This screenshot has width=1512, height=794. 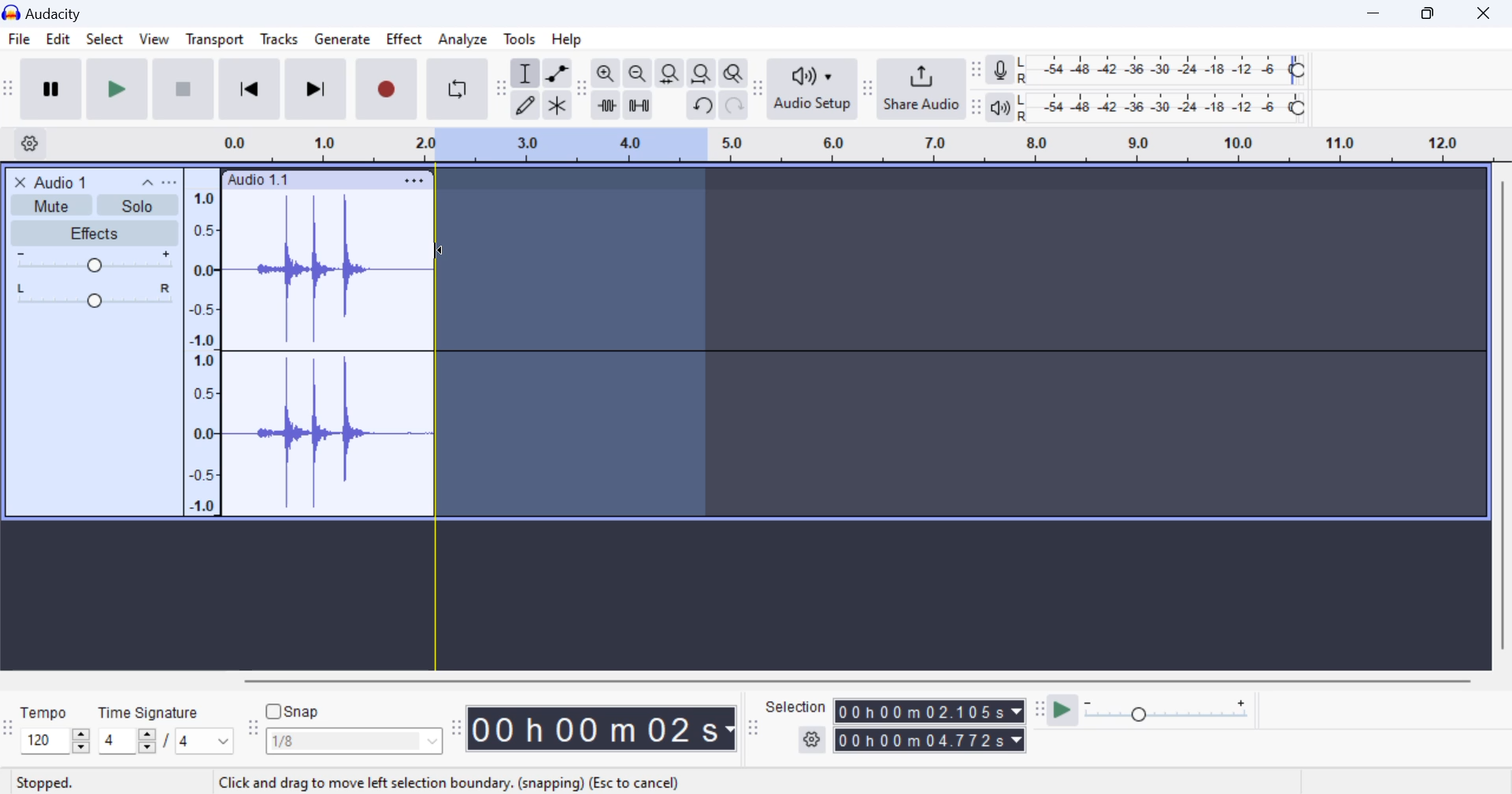 What do you see at coordinates (605, 728) in the screenshot?
I see `Clip Length` at bounding box center [605, 728].